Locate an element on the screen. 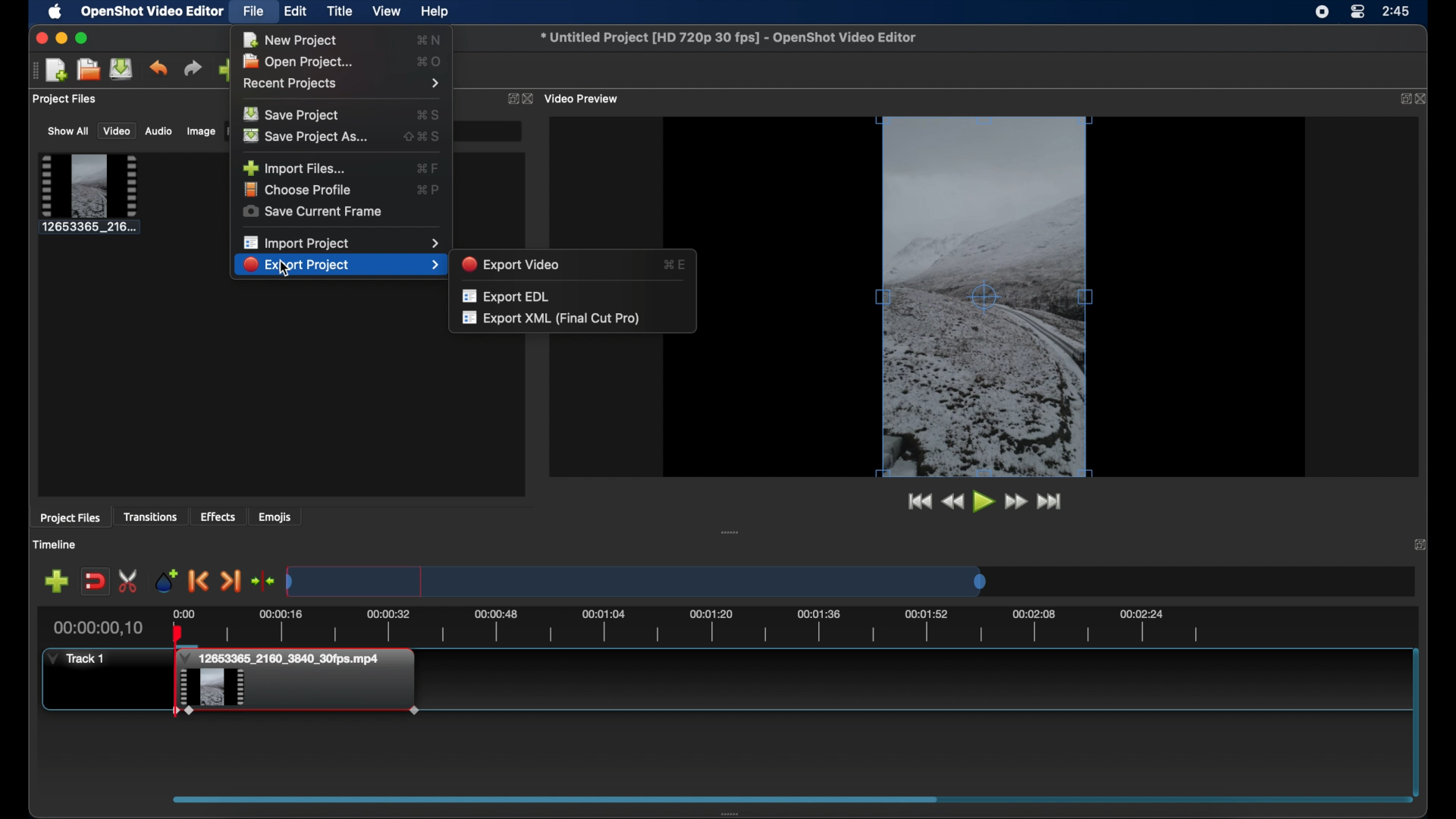 Image resolution: width=1456 pixels, height=819 pixels. clip is located at coordinates (297, 694).